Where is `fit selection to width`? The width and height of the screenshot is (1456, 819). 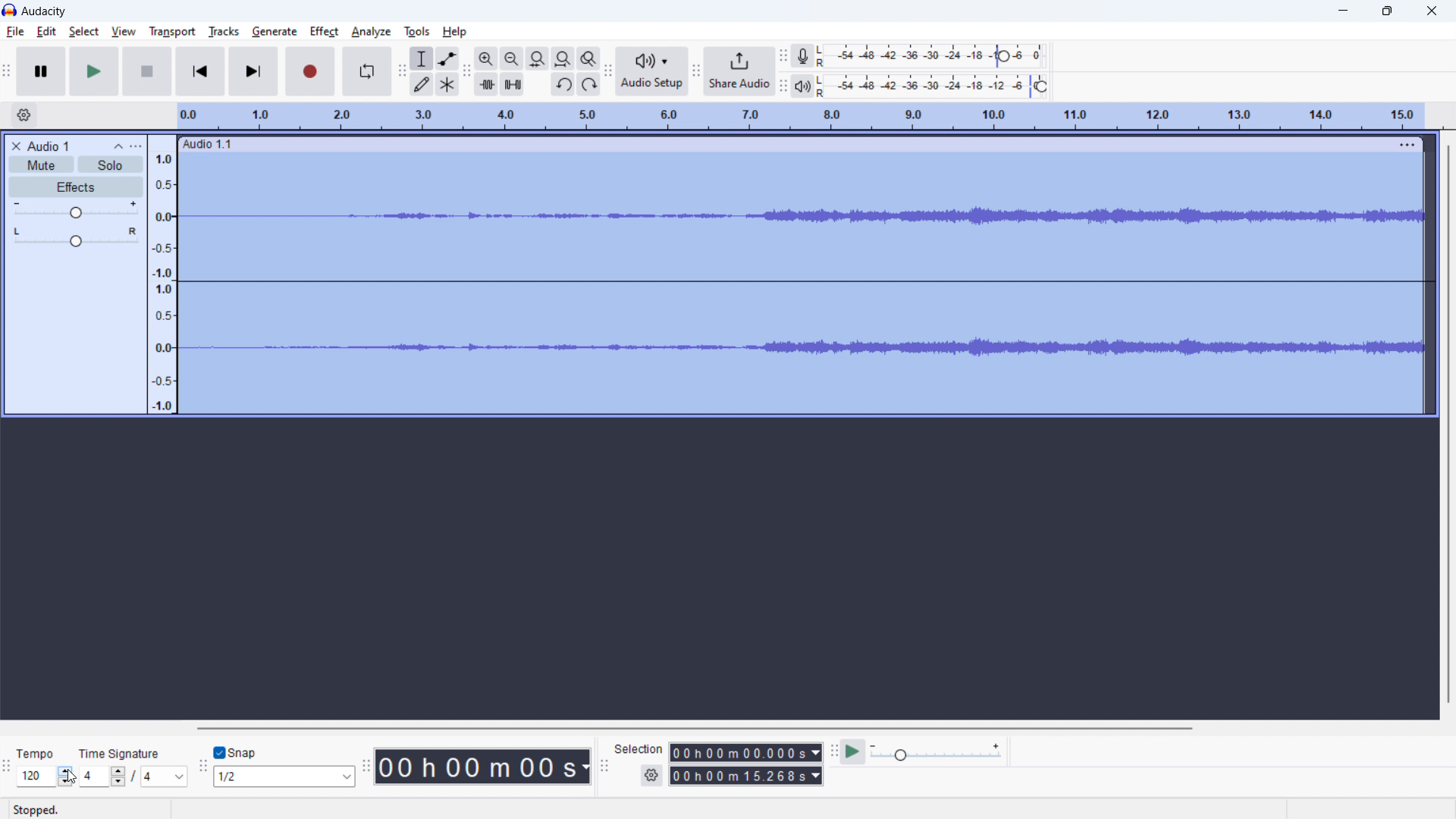
fit selection to width is located at coordinates (538, 58).